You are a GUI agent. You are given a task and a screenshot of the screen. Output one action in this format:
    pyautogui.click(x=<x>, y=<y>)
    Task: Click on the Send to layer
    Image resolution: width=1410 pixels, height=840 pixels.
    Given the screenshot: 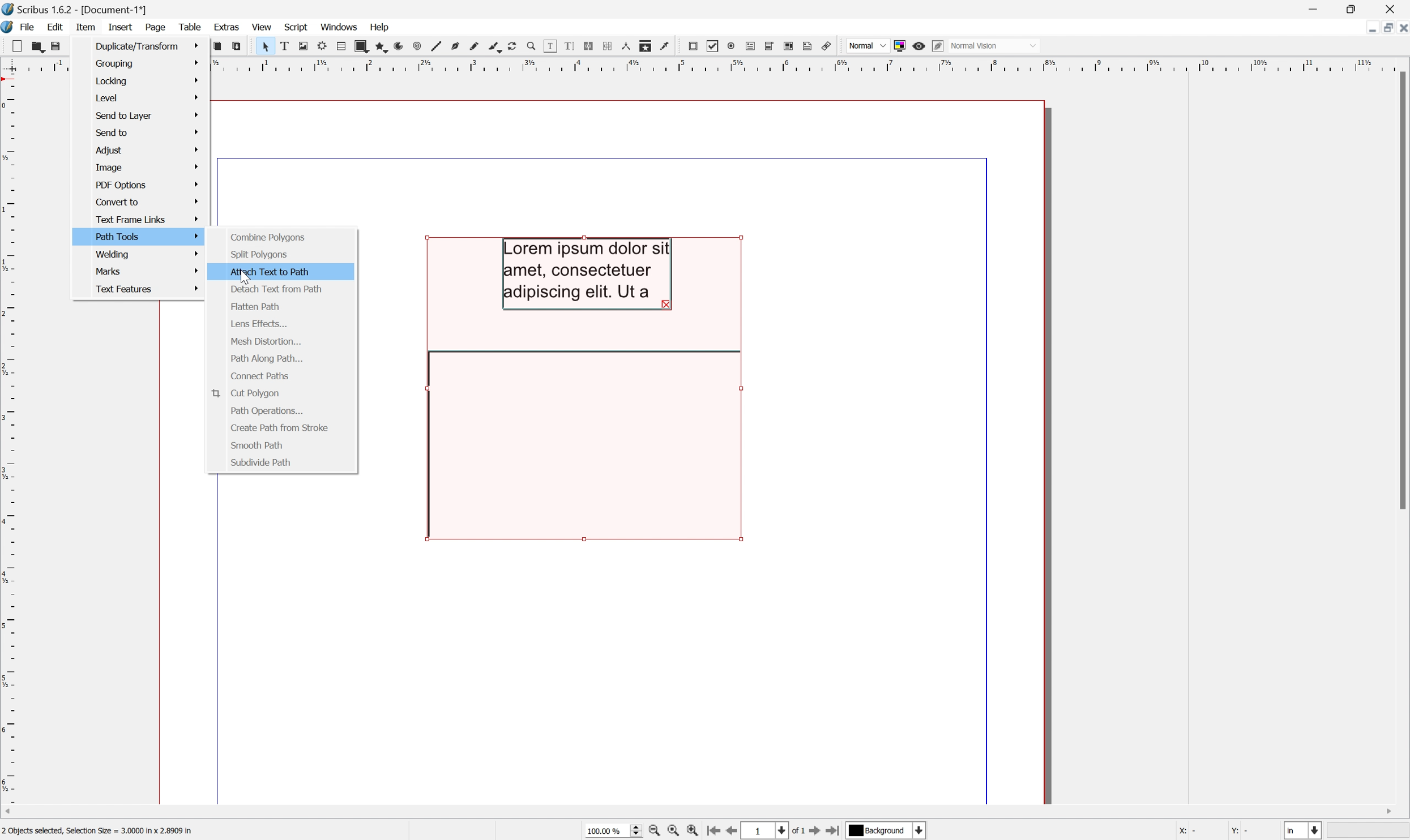 What is the action you would take?
    pyautogui.click(x=147, y=115)
    